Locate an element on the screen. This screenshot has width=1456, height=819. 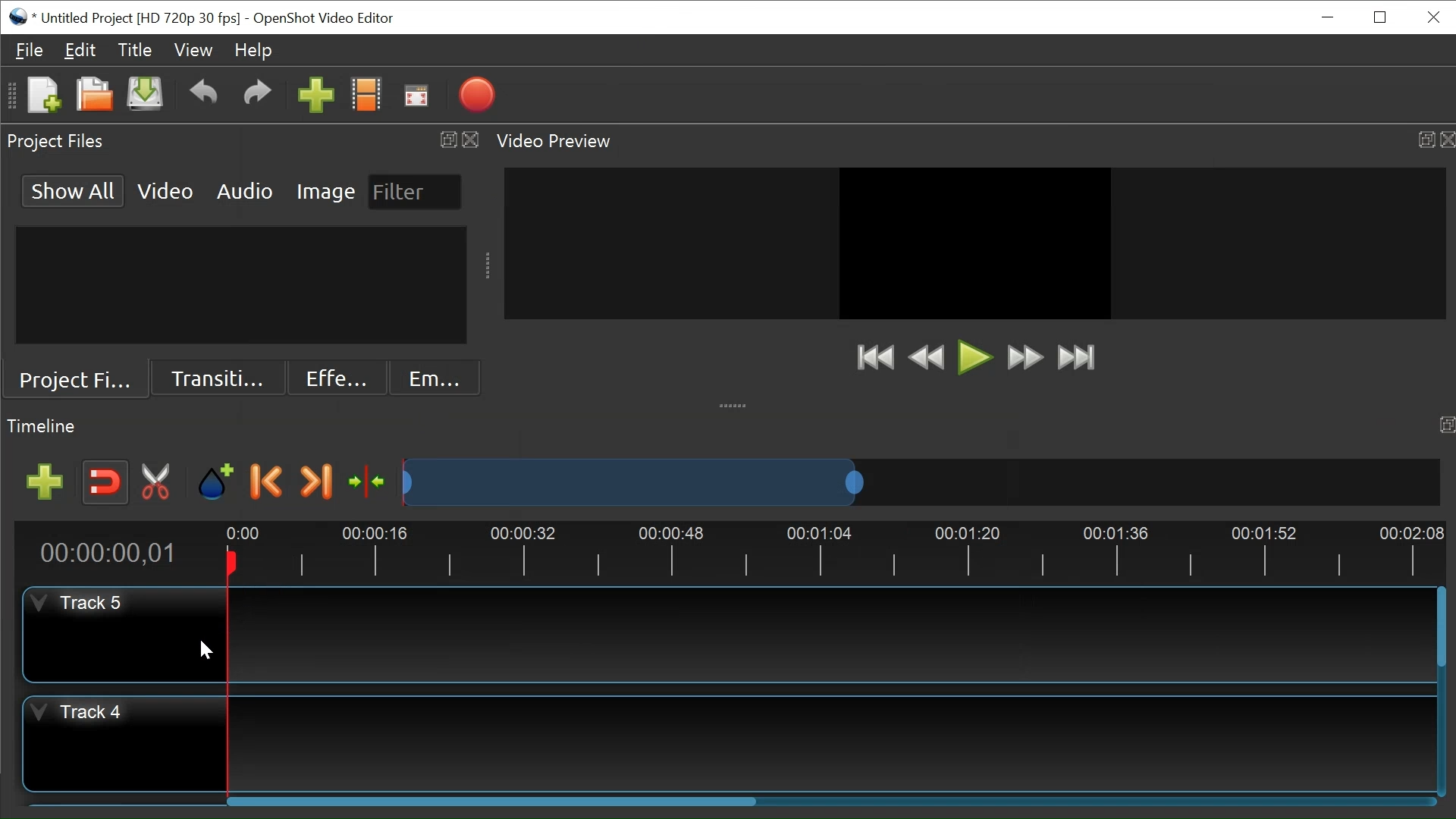
Redo is located at coordinates (257, 96).